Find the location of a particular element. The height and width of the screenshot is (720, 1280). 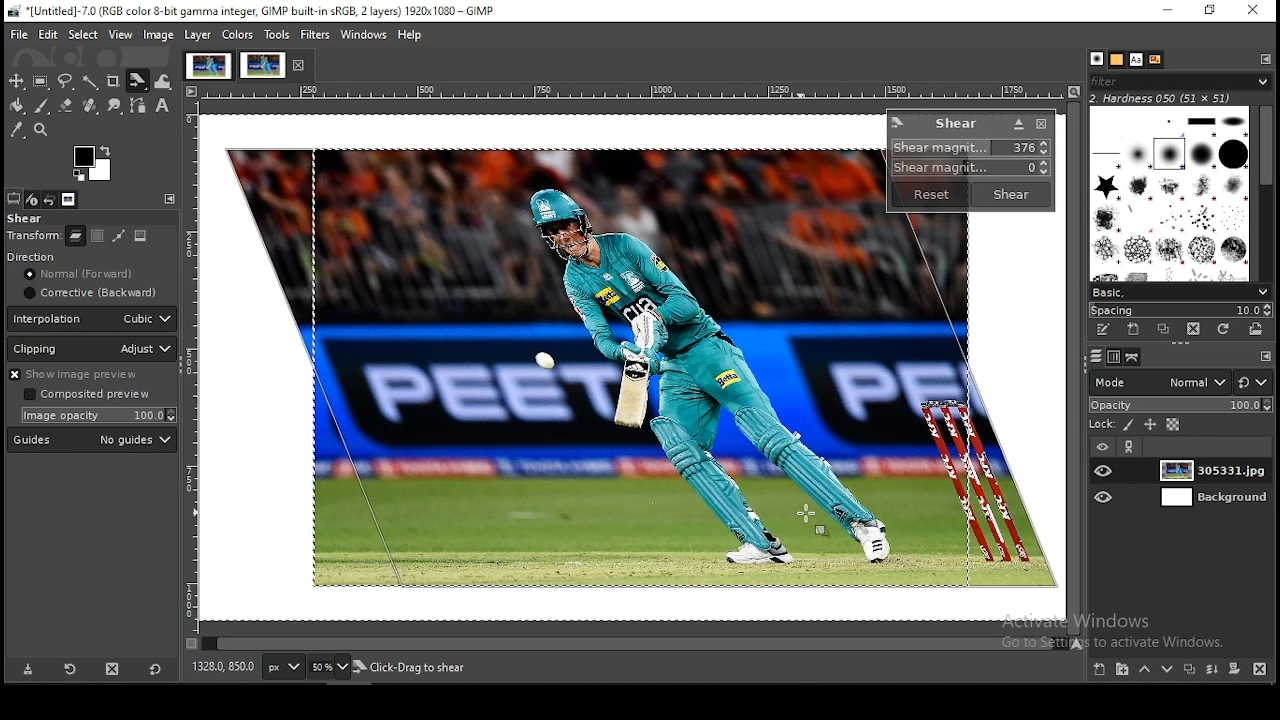

filter is located at coordinates (1181, 81).